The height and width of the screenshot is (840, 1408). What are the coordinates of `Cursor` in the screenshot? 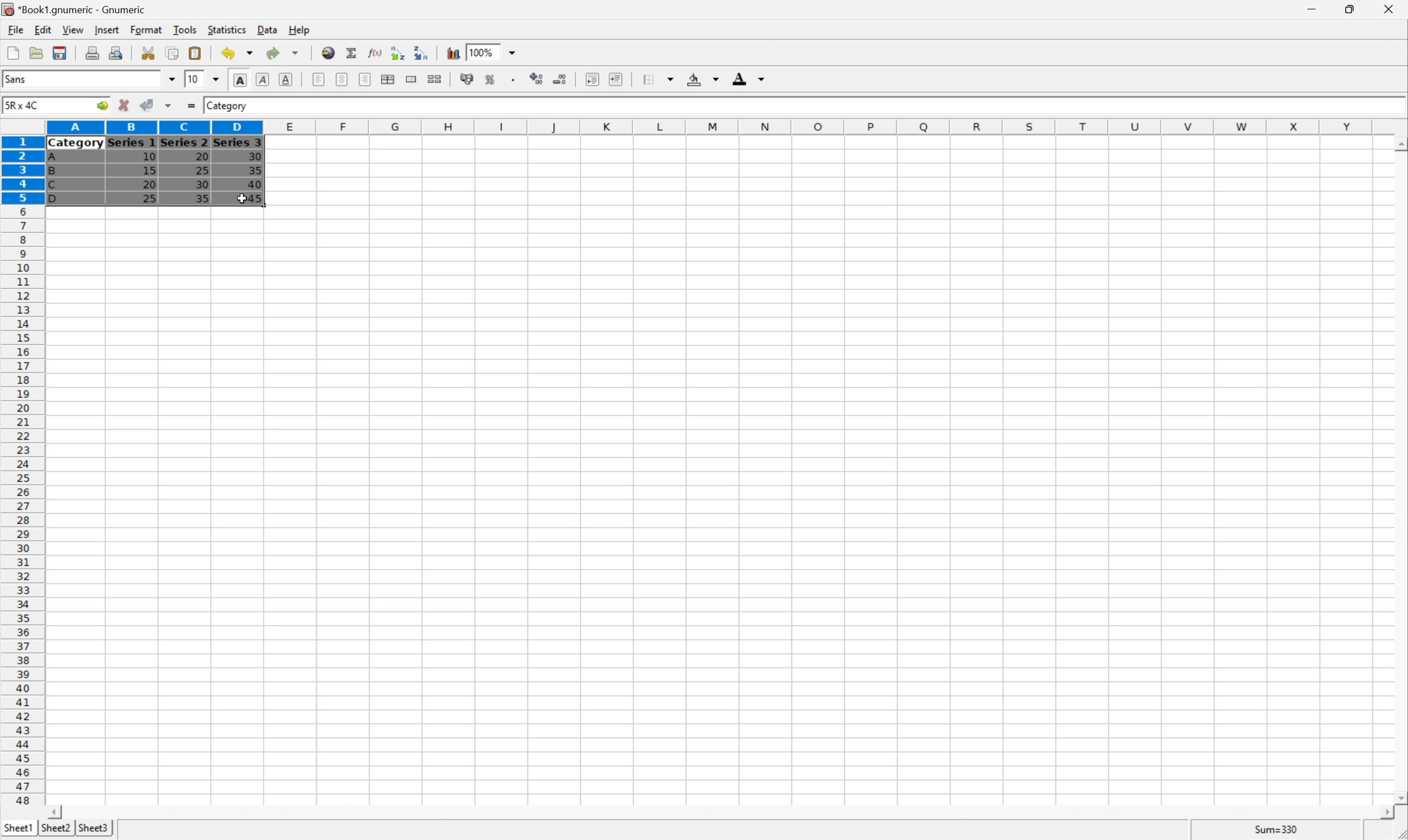 It's located at (242, 196).